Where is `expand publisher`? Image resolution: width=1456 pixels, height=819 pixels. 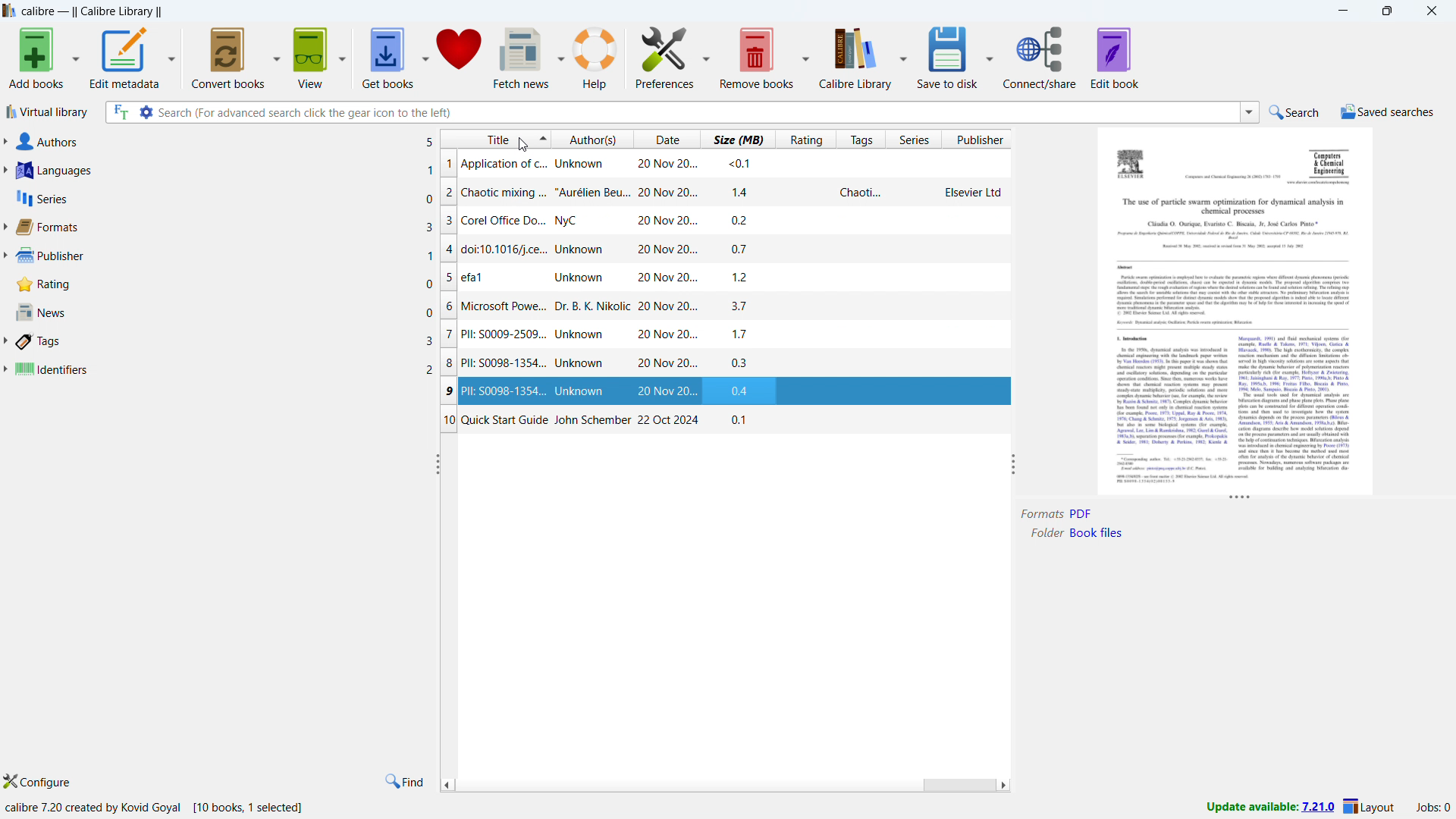 expand publisher is located at coordinates (5, 256).